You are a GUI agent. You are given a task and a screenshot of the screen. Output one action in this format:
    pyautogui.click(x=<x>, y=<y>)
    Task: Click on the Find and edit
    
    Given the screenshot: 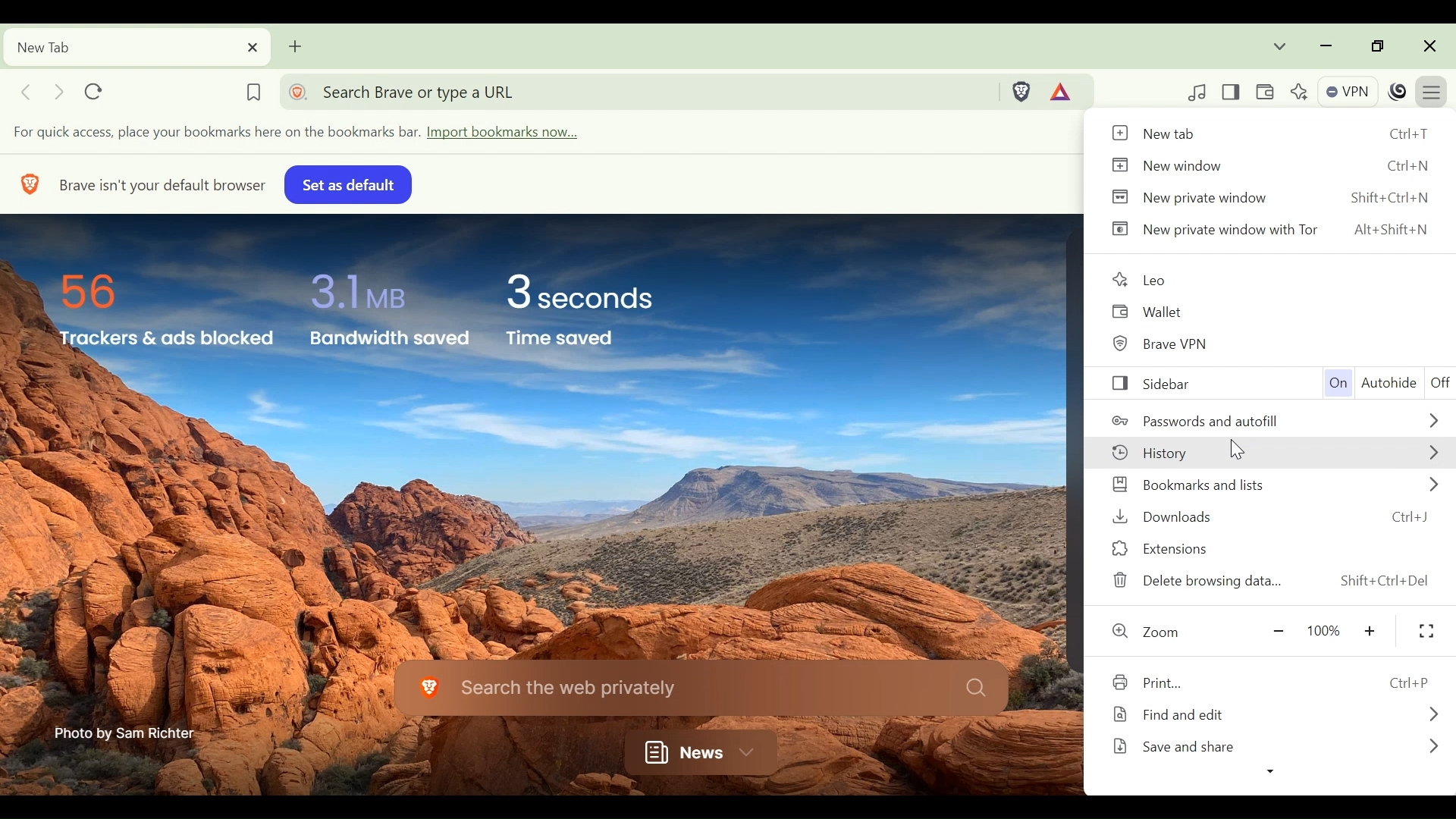 What is the action you would take?
    pyautogui.click(x=1276, y=715)
    